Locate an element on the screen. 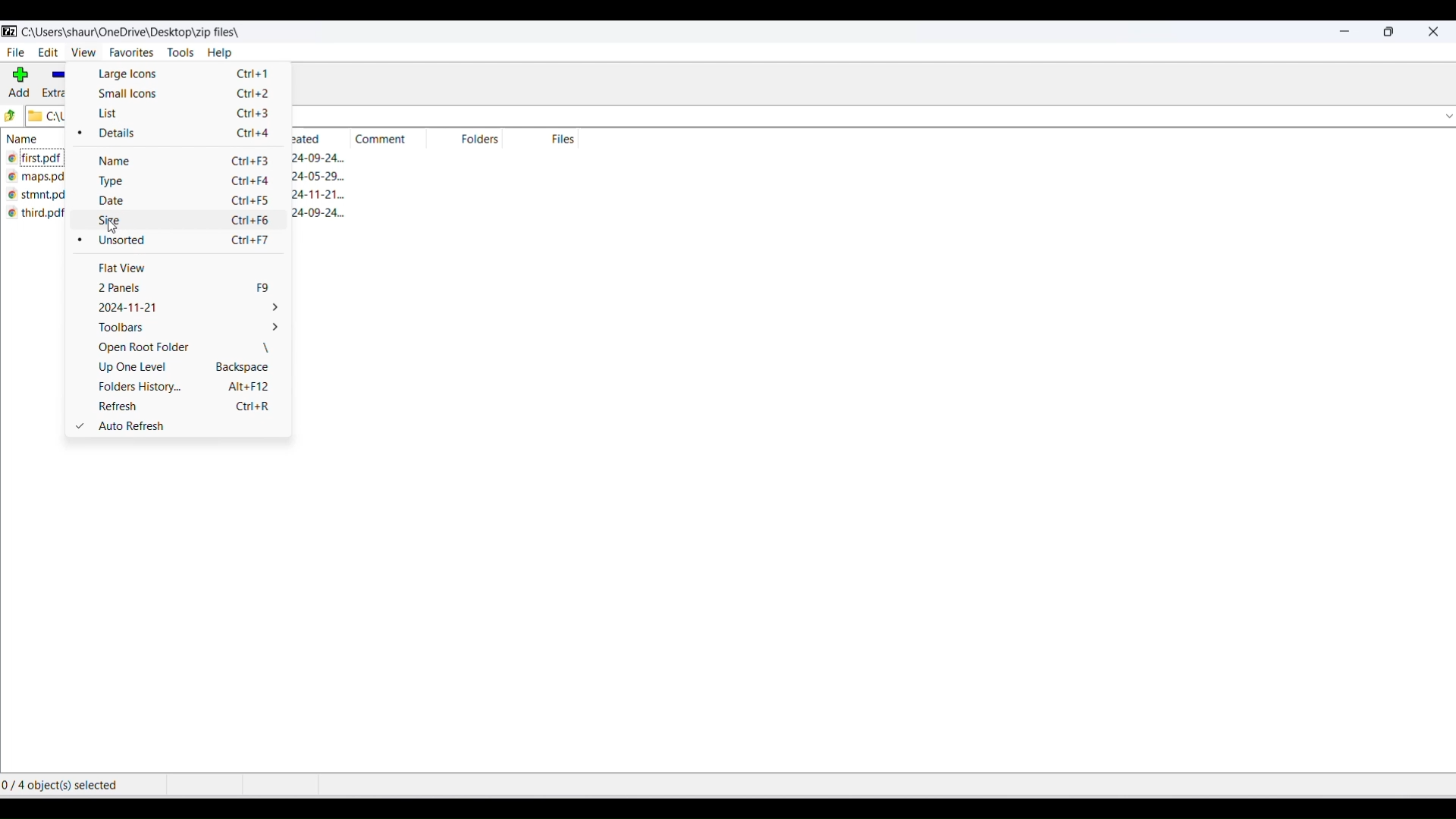 The width and height of the screenshot is (1456, 819). name is located at coordinates (36, 142).